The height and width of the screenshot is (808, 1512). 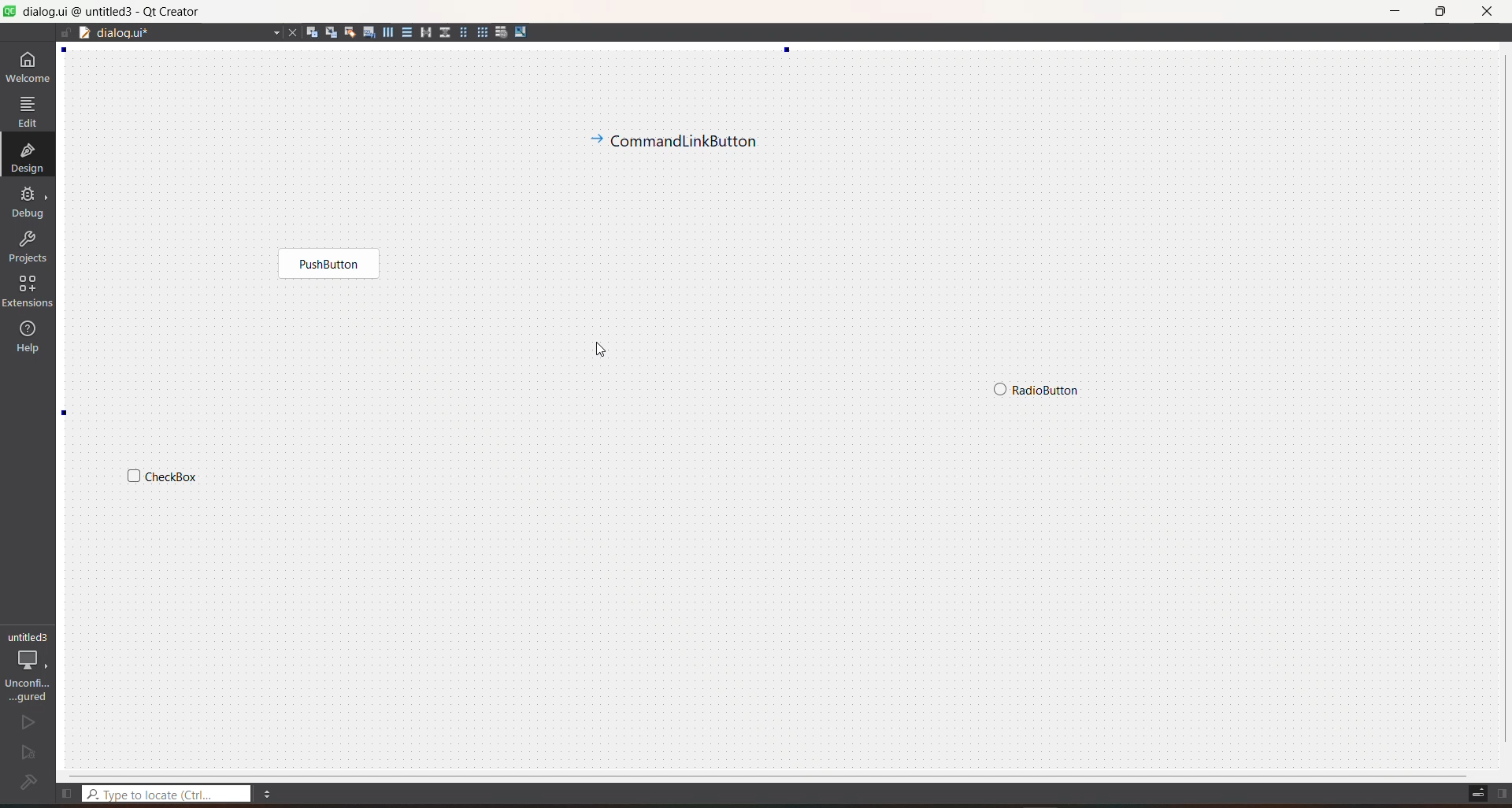 What do you see at coordinates (369, 34) in the screenshot?
I see `edit tab order` at bounding box center [369, 34].